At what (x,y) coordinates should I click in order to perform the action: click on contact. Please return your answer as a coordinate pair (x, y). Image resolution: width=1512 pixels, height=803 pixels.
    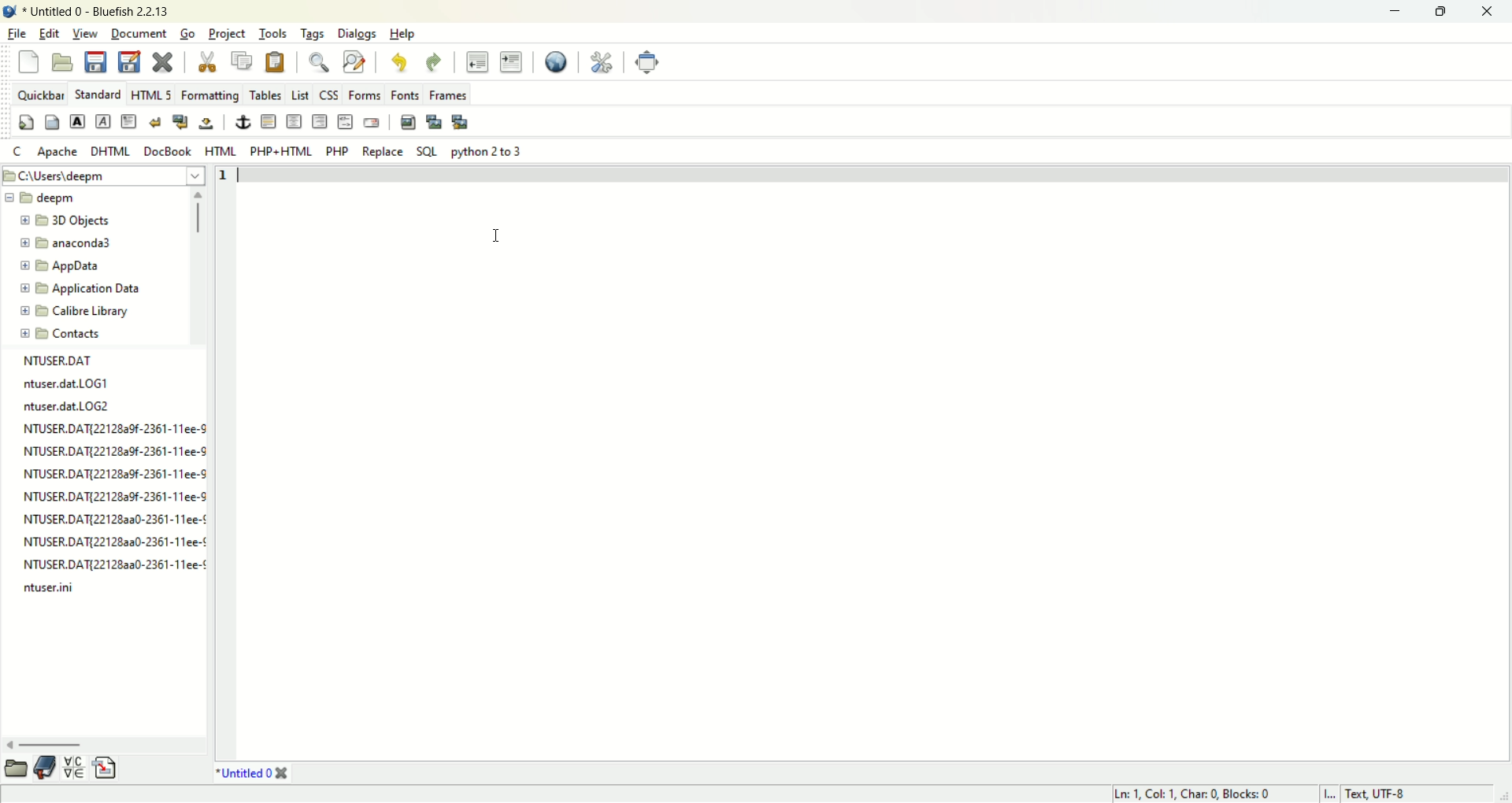
    Looking at the image, I should click on (67, 335).